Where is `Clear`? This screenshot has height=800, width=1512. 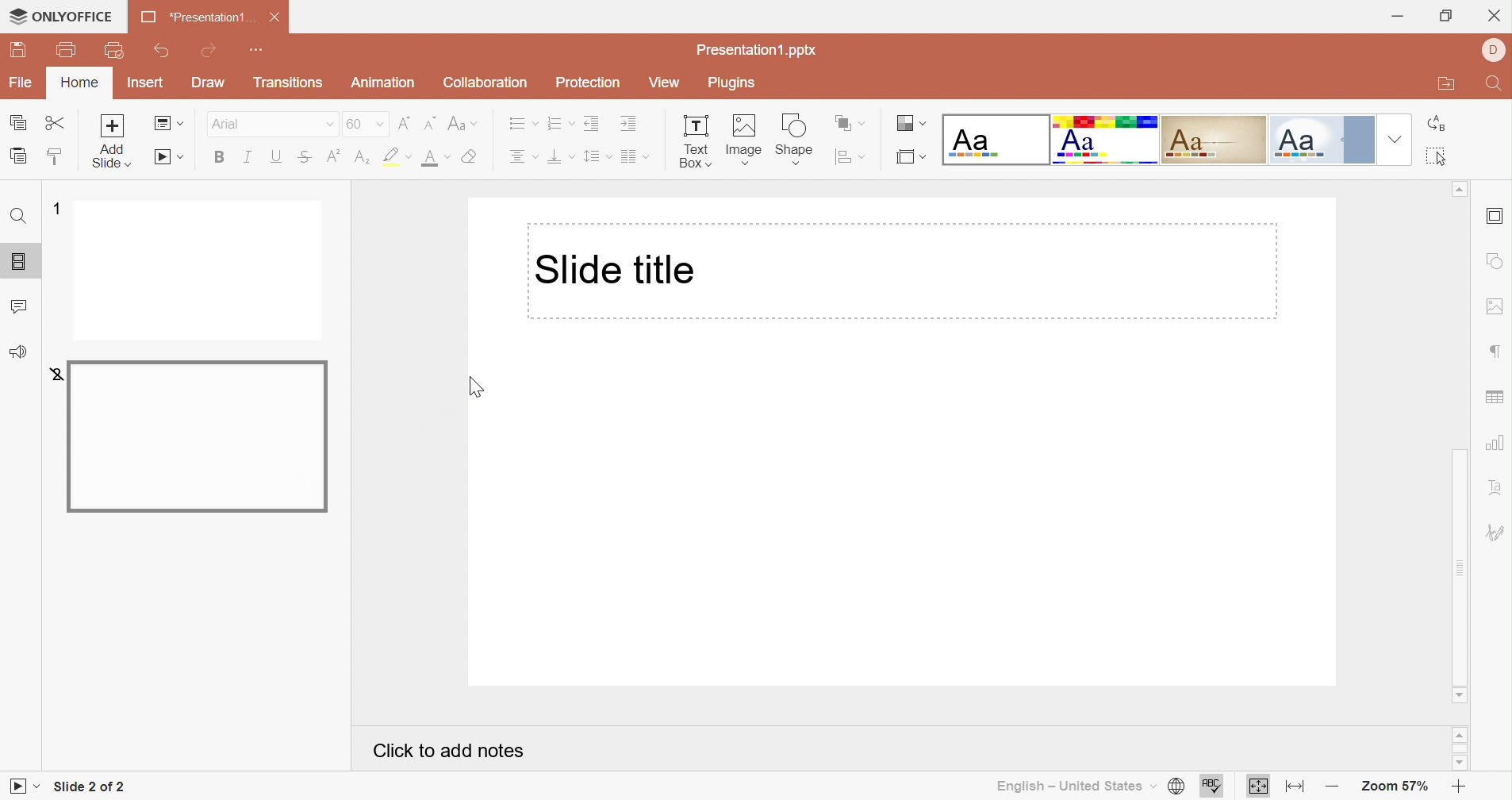
Clear is located at coordinates (472, 157).